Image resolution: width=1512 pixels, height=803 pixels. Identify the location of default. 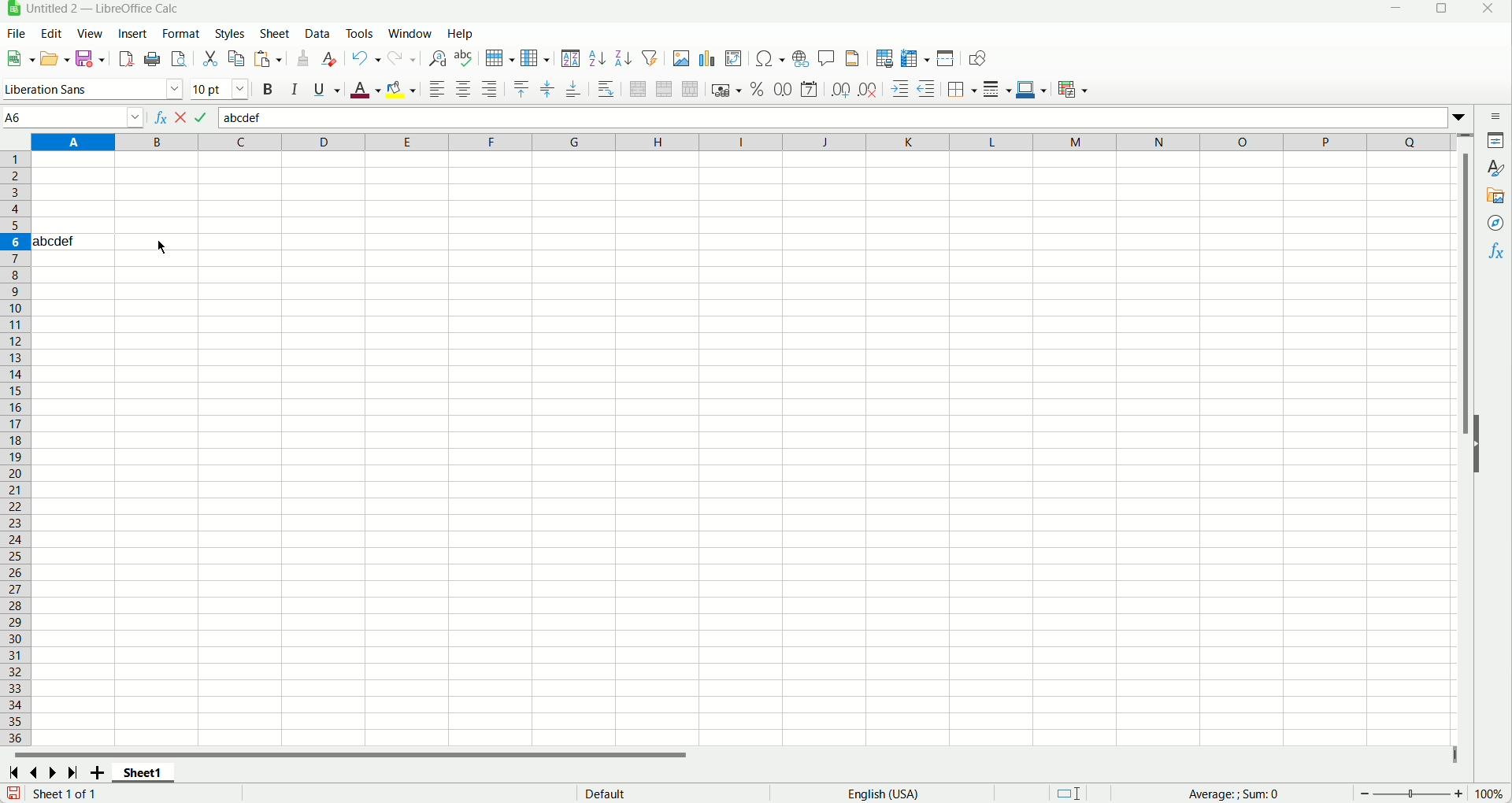
(604, 793).